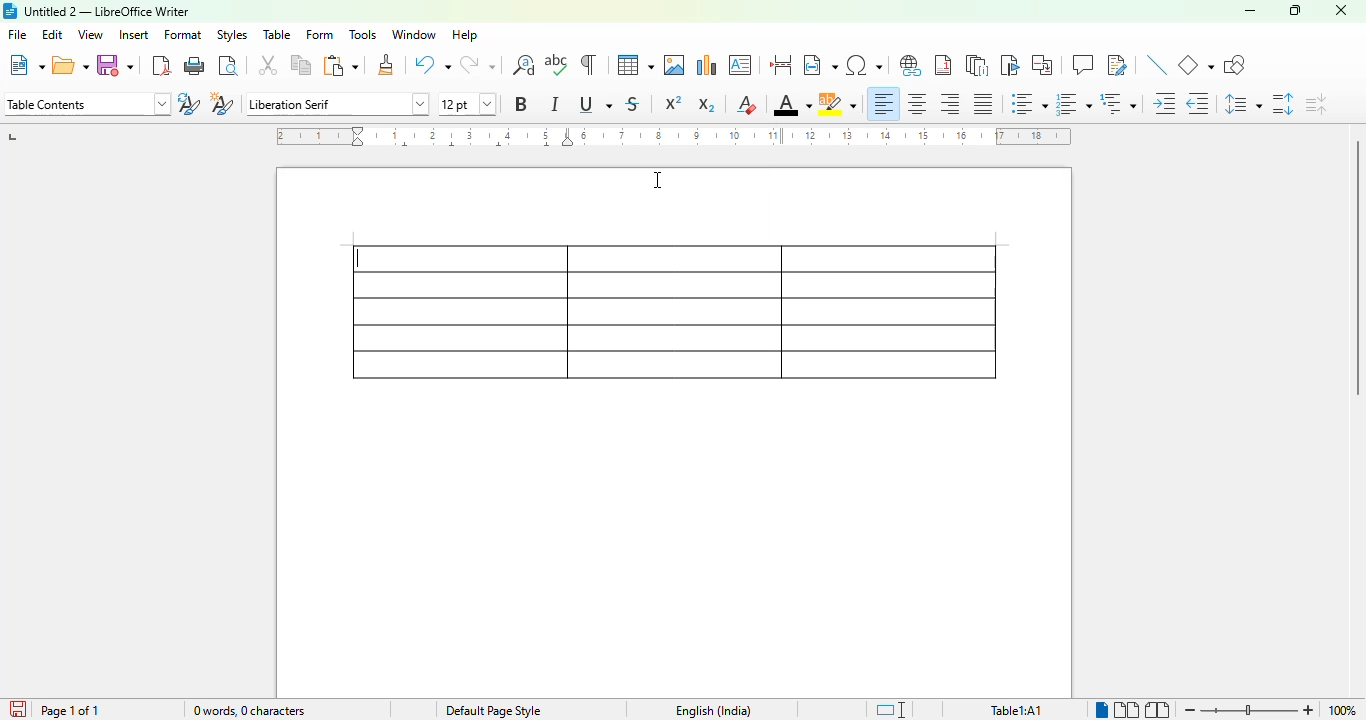  I want to click on subscript, so click(707, 105).